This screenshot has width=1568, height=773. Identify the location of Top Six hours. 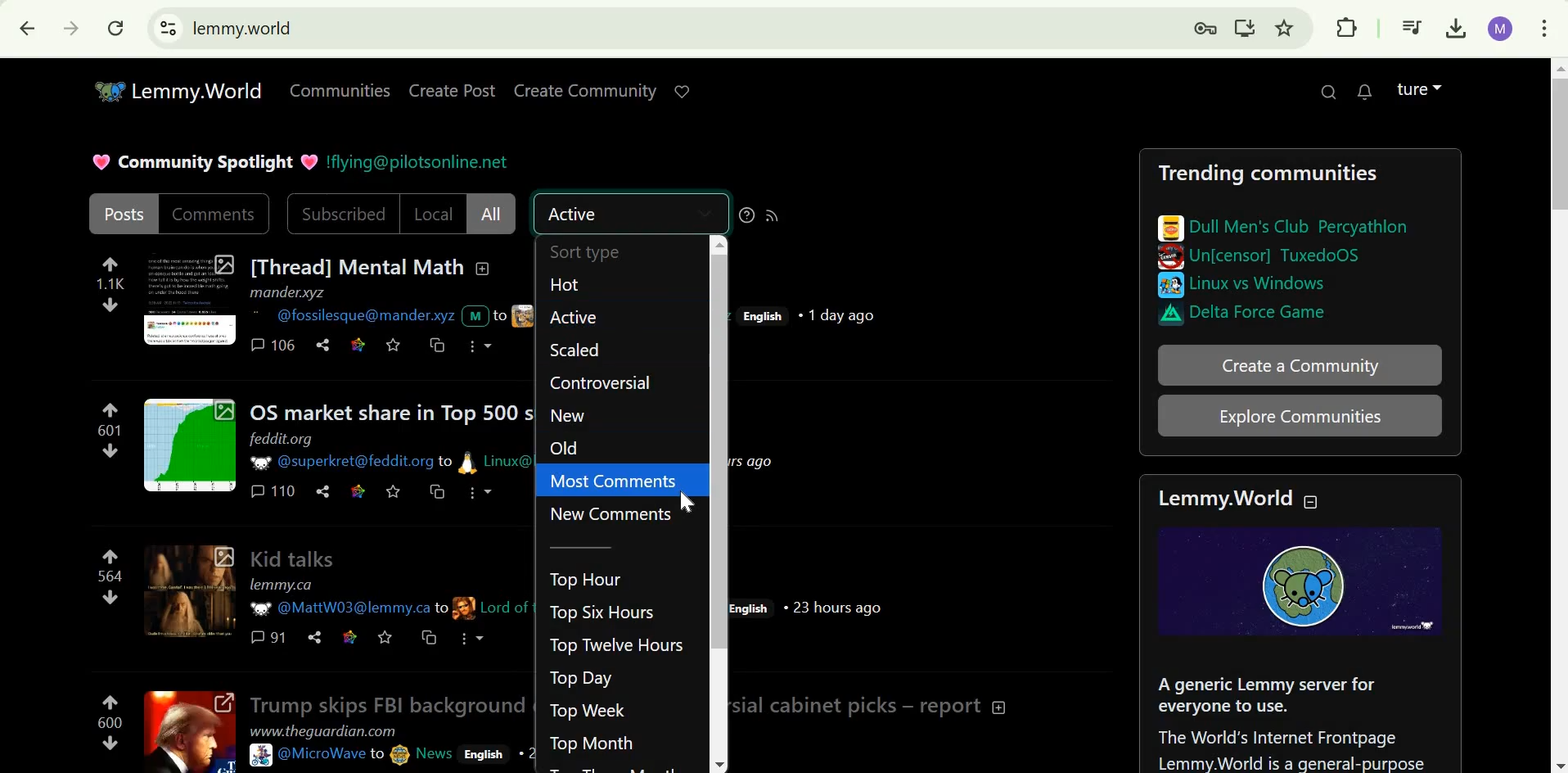
(604, 613).